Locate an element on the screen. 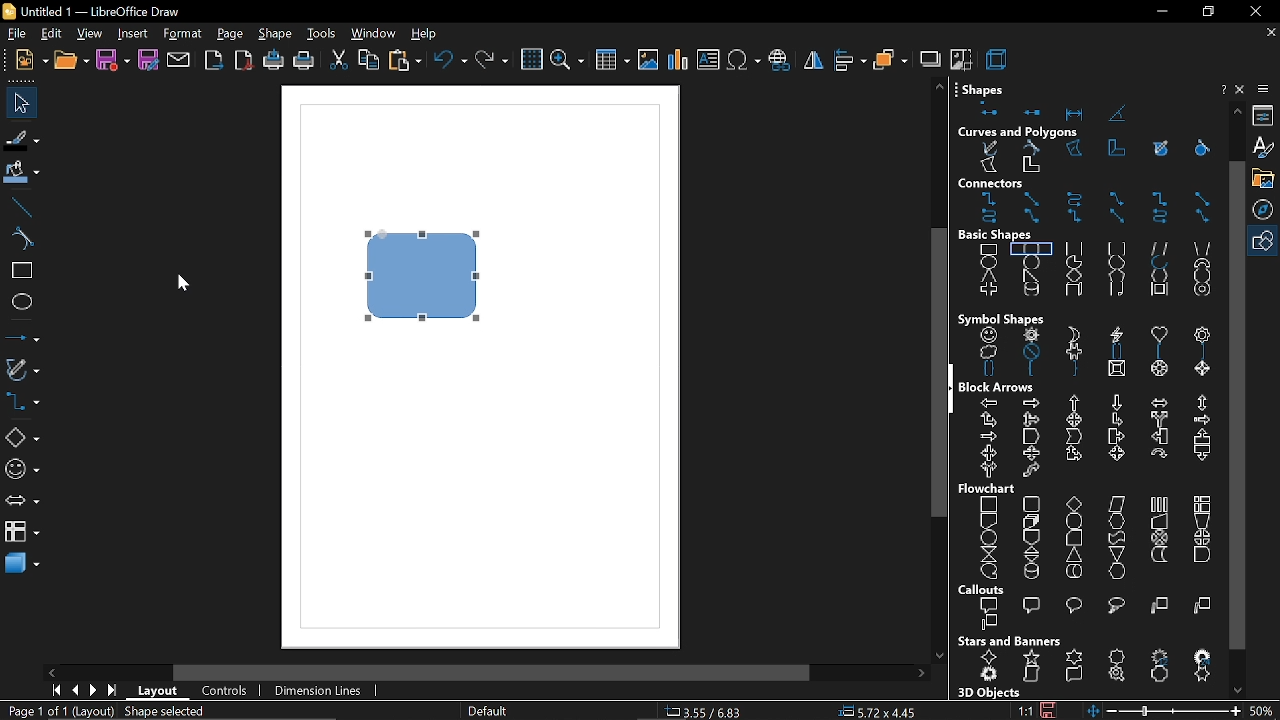  rouded rectangle added is located at coordinates (422, 275).